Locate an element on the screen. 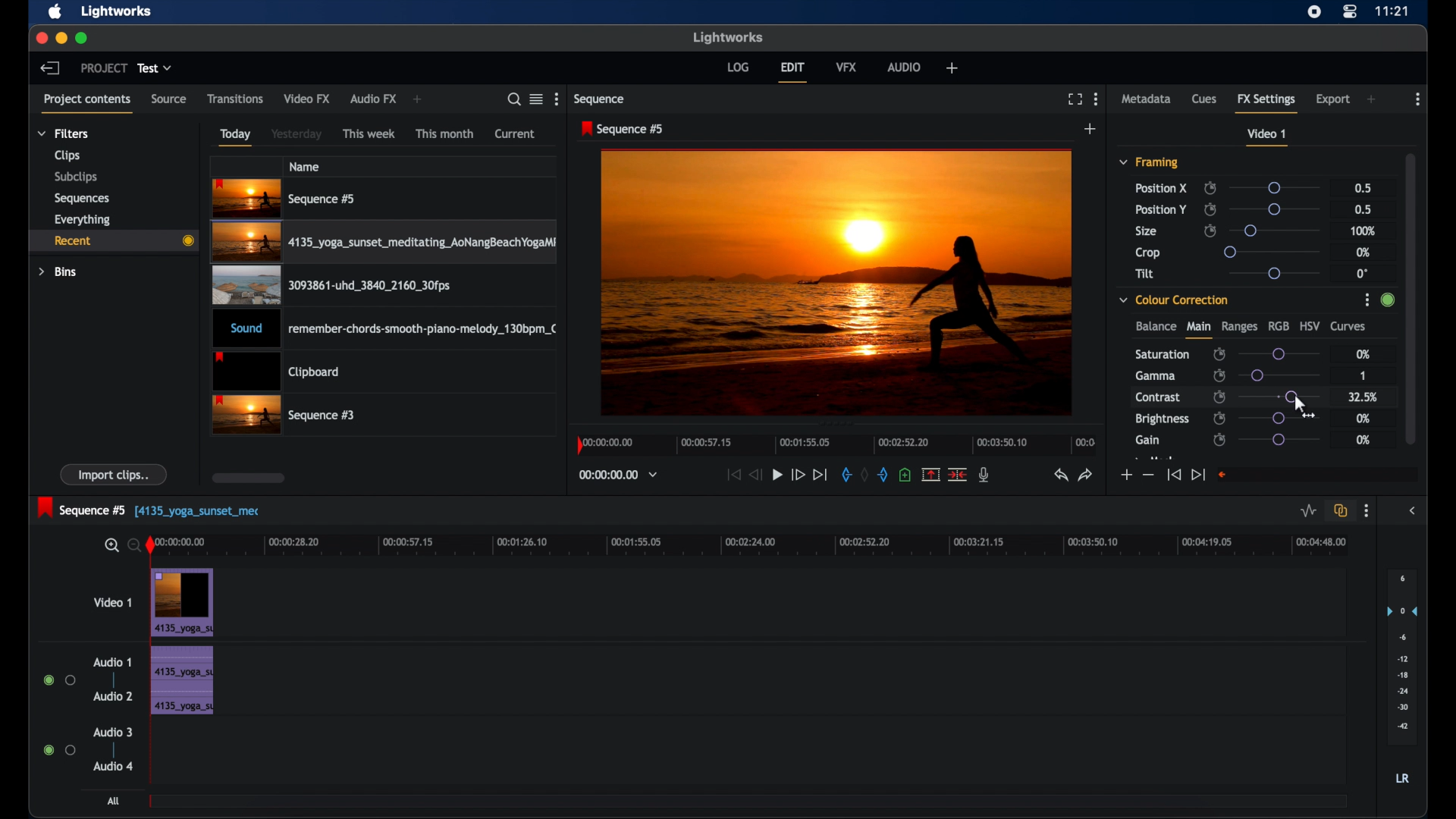 Image resolution: width=1456 pixels, height=819 pixels. video clip is located at coordinates (184, 603).